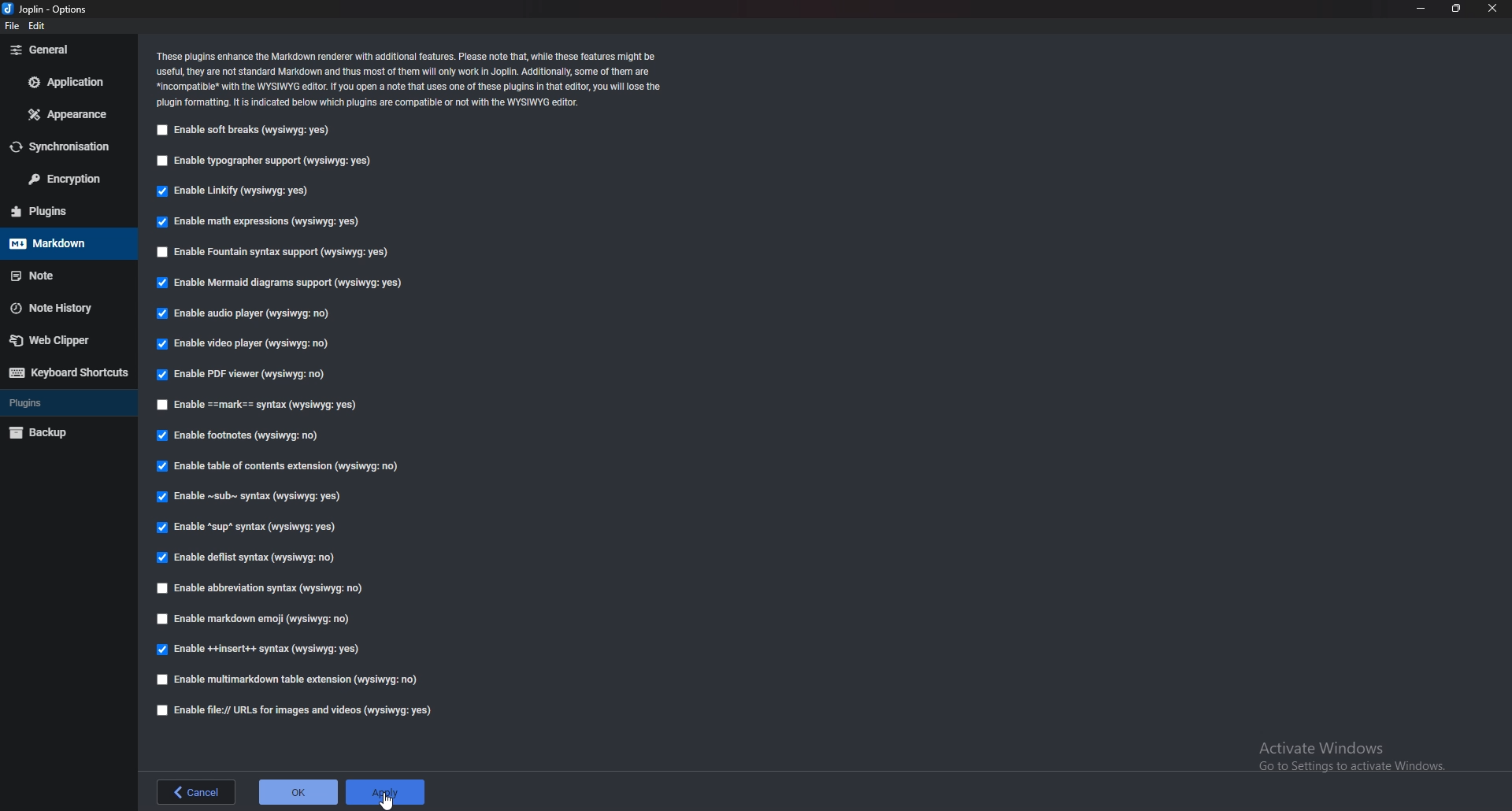 Image resolution: width=1512 pixels, height=811 pixels. Describe the element at coordinates (1421, 9) in the screenshot. I see `Minimize` at that location.